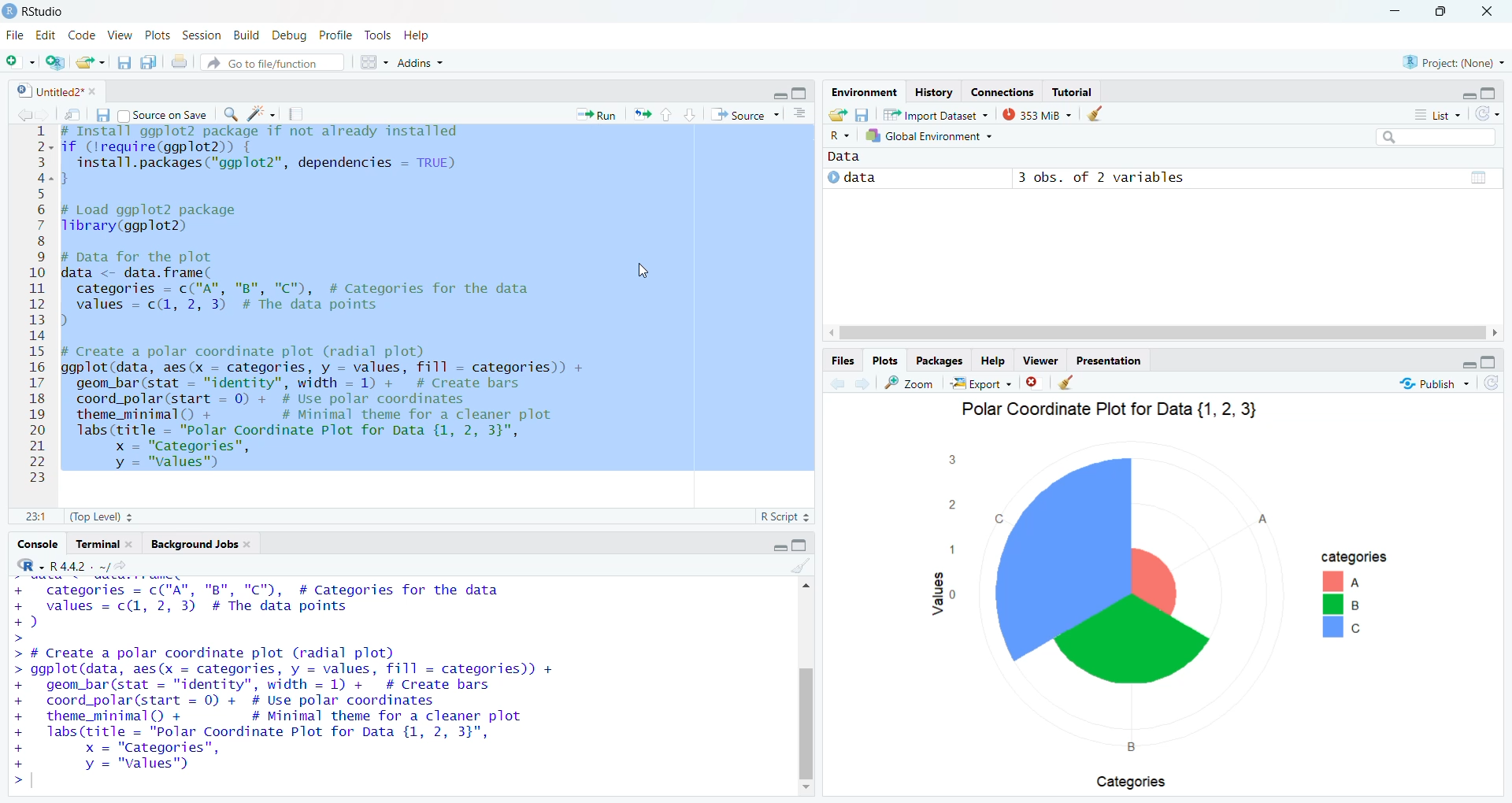 The width and height of the screenshot is (1512, 803). I want to click on * Run, so click(590, 117).